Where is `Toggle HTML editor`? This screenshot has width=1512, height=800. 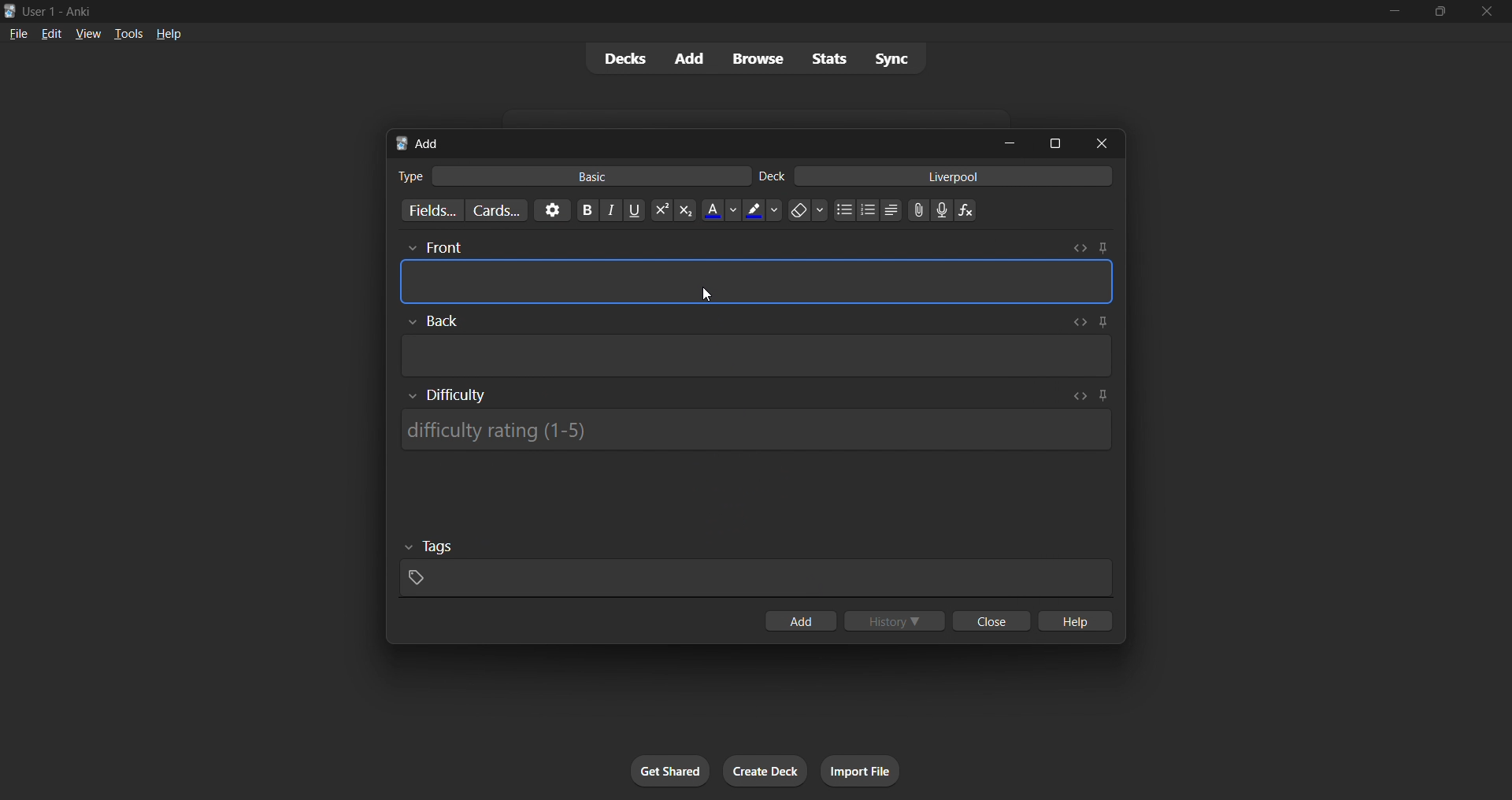 Toggle HTML editor is located at coordinates (1077, 322).